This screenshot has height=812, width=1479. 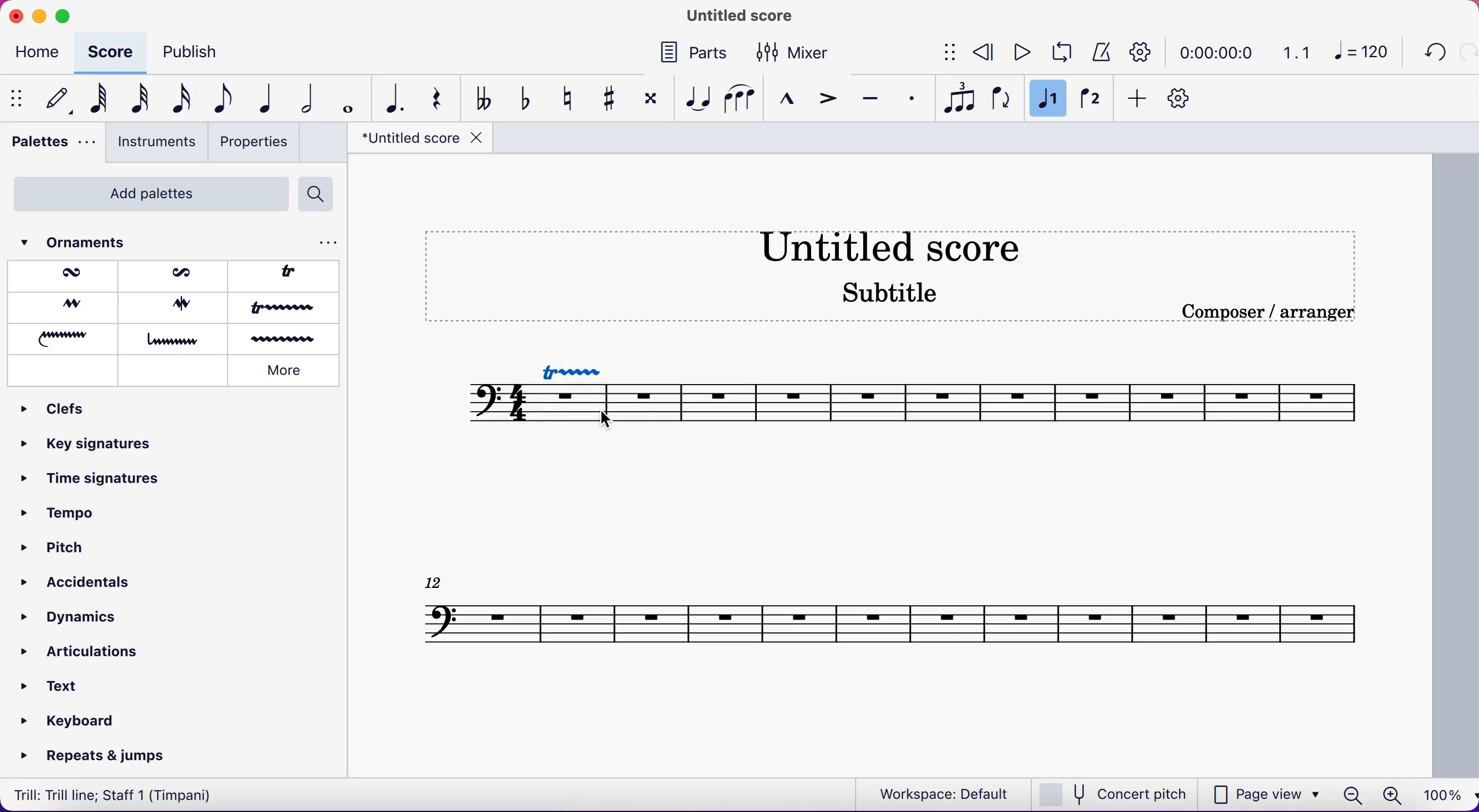 What do you see at coordinates (144, 193) in the screenshot?
I see `add palettes` at bounding box center [144, 193].